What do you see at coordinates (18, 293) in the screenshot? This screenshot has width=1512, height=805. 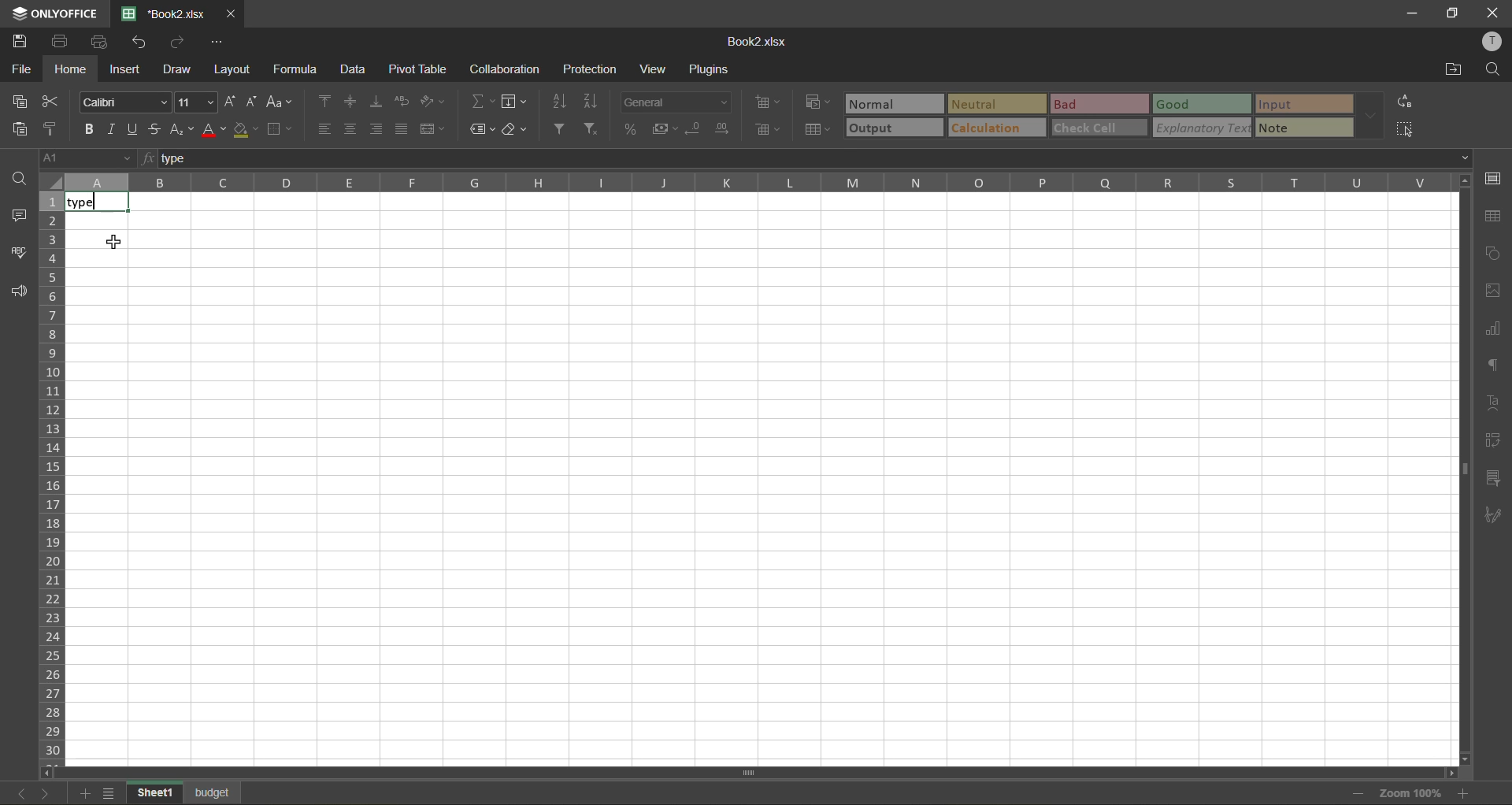 I see `feedback` at bounding box center [18, 293].